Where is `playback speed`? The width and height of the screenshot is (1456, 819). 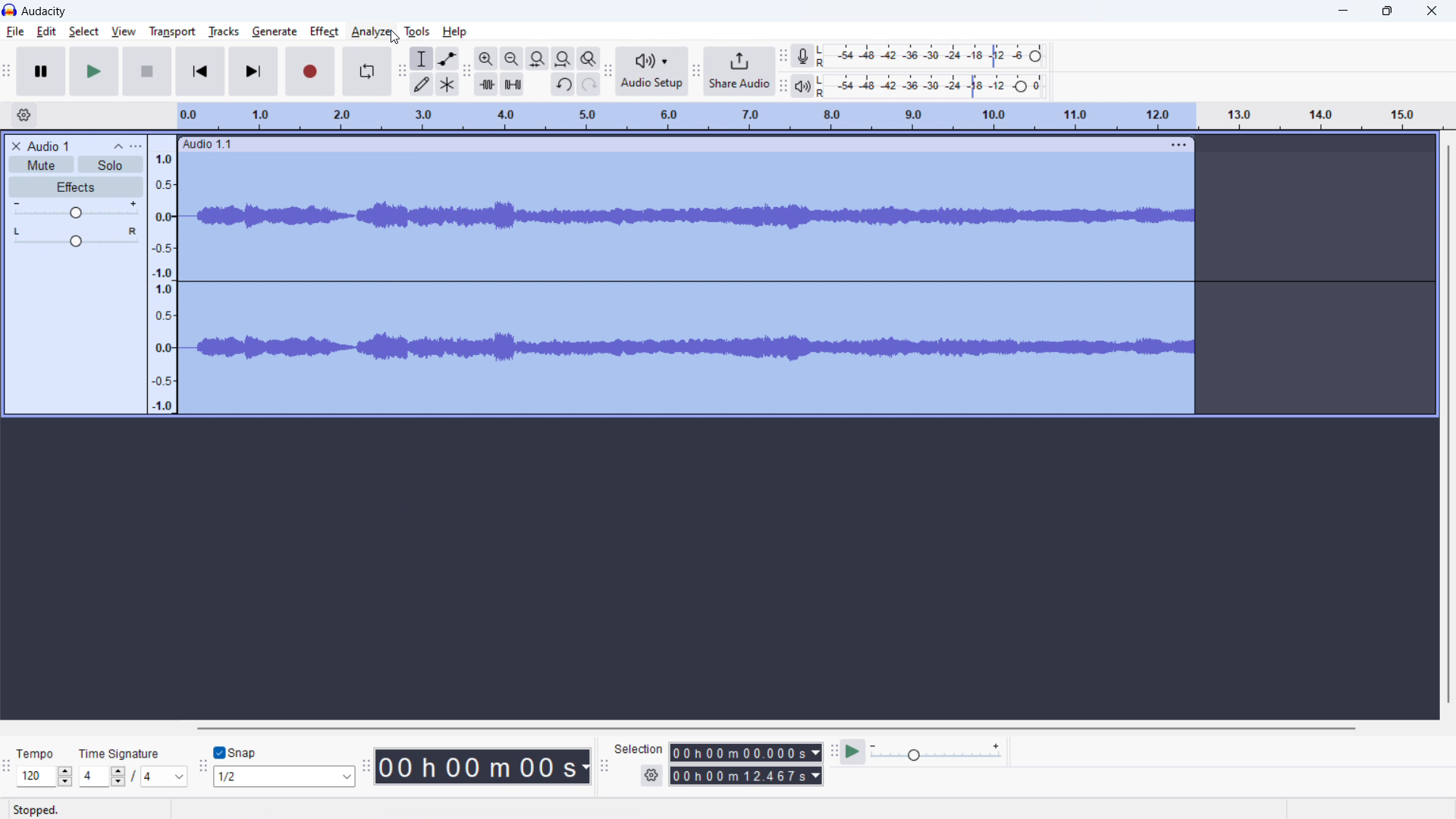
playback speed is located at coordinates (937, 753).